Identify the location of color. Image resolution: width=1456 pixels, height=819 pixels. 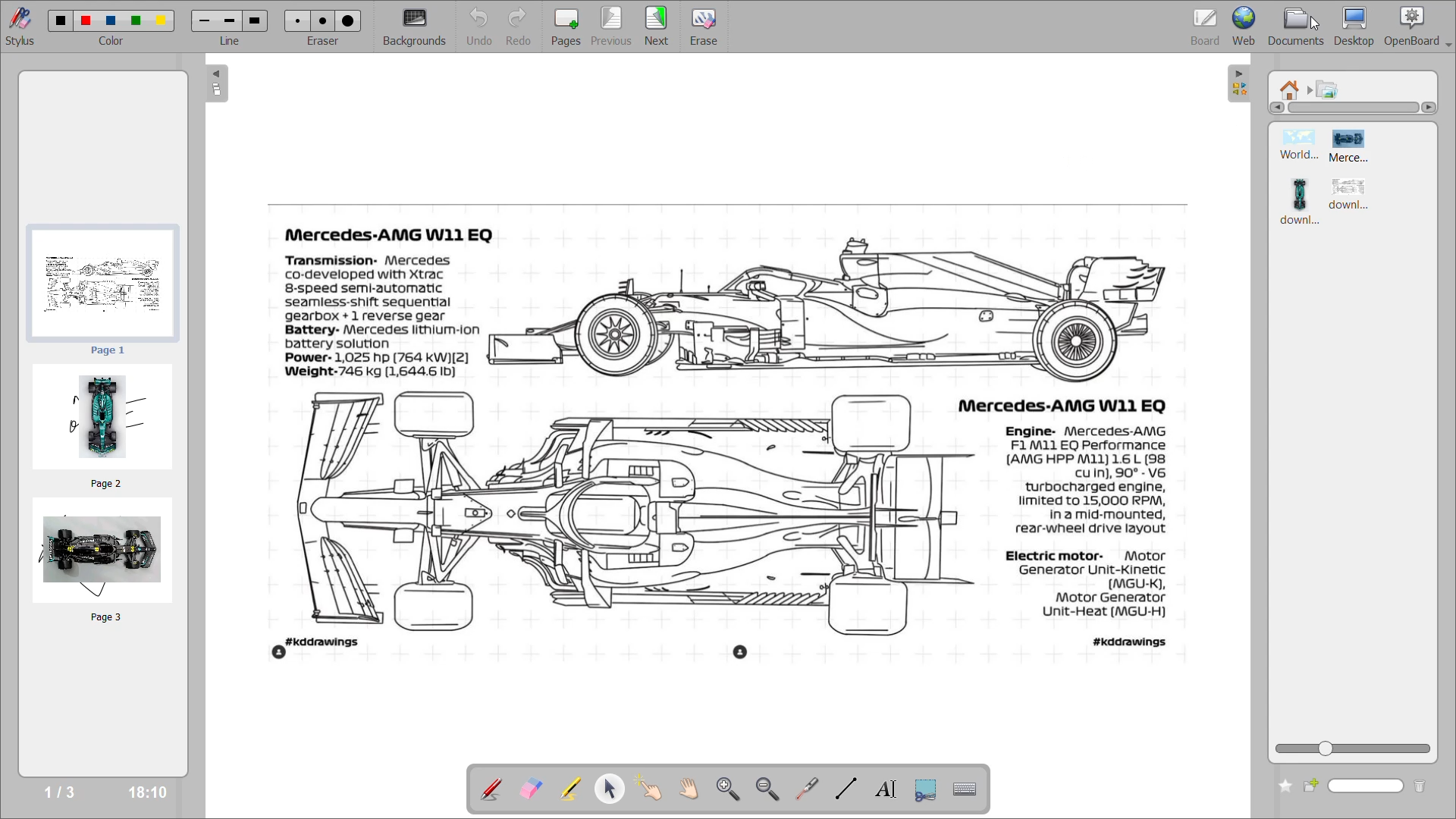
(111, 42).